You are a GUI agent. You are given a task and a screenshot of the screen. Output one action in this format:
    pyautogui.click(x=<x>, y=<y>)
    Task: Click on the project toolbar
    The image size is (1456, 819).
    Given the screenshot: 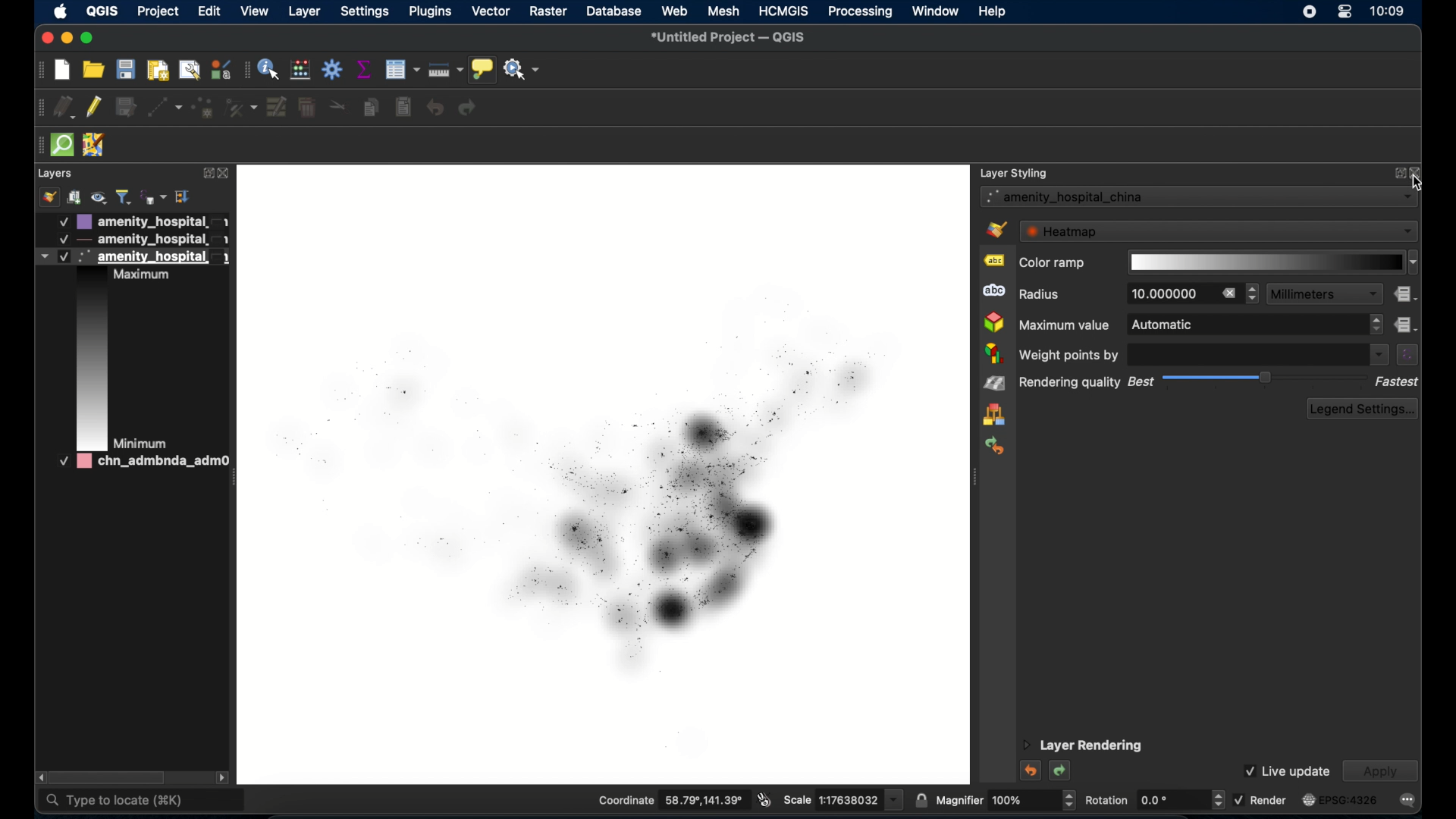 What is the action you would take?
    pyautogui.click(x=40, y=71)
    